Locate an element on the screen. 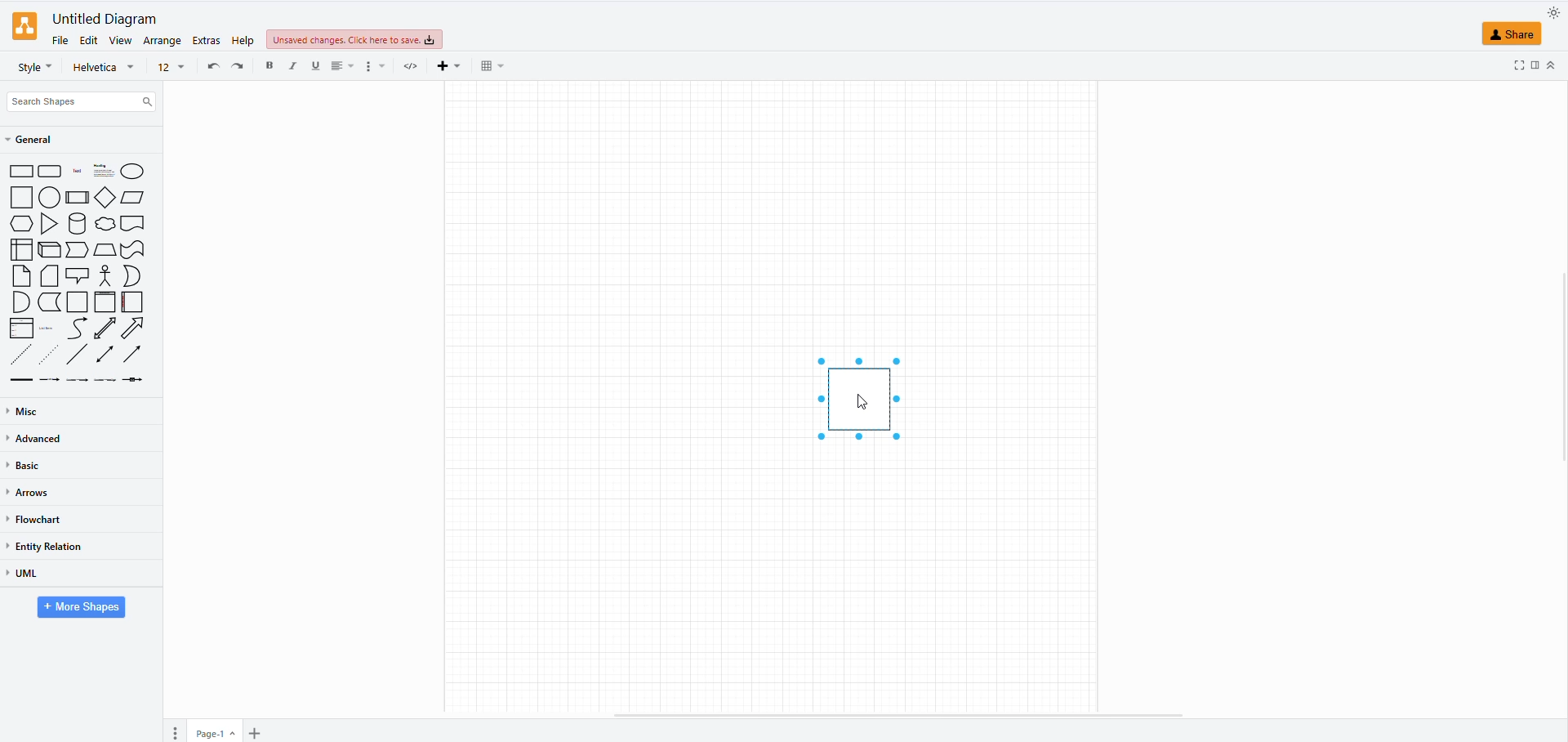 This screenshot has height=742, width=1568. document is located at coordinates (134, 224).